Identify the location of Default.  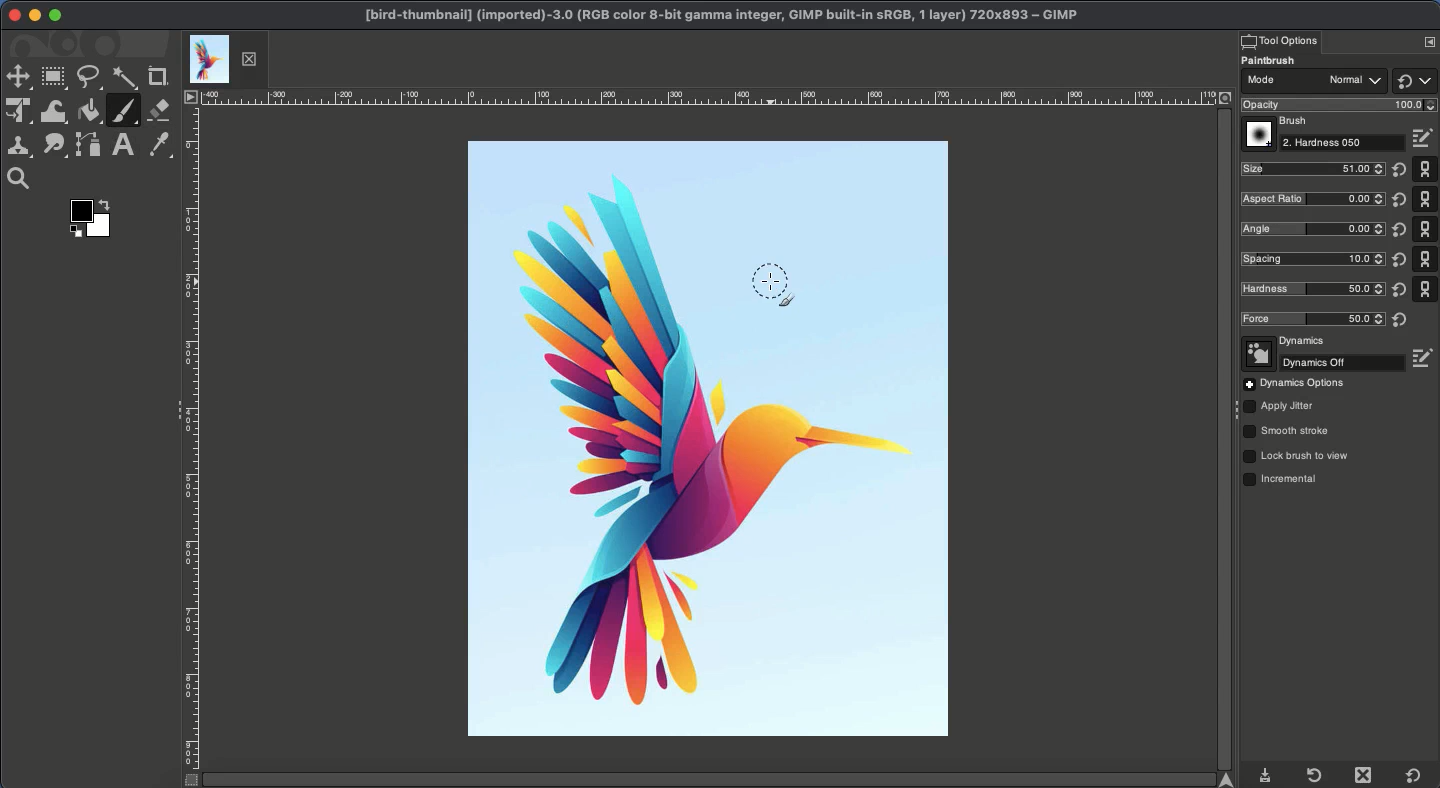
(1426, 228).